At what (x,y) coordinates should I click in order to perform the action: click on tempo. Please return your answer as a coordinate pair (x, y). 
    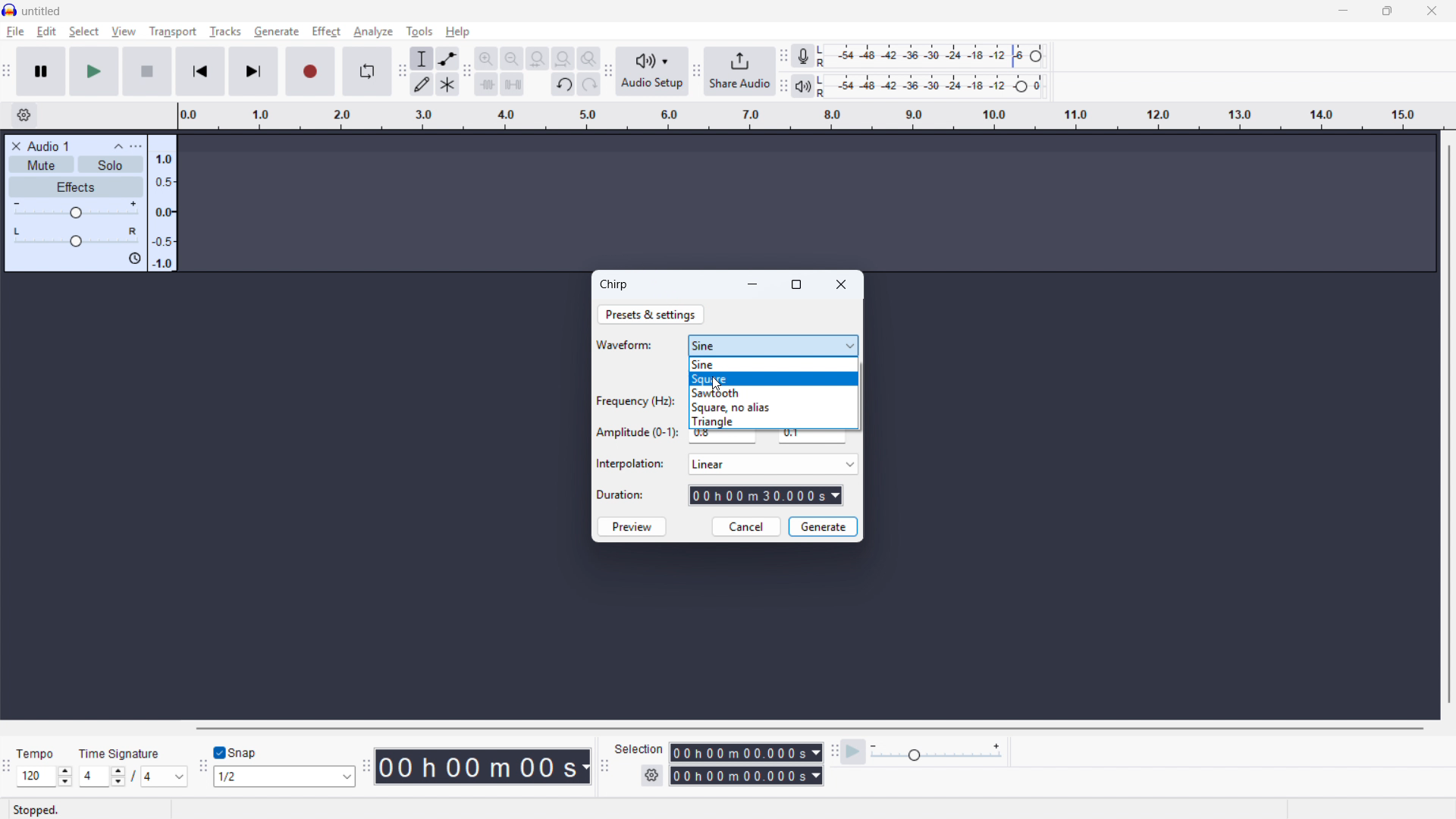
    Looking at the image, I should click on (38, 754).